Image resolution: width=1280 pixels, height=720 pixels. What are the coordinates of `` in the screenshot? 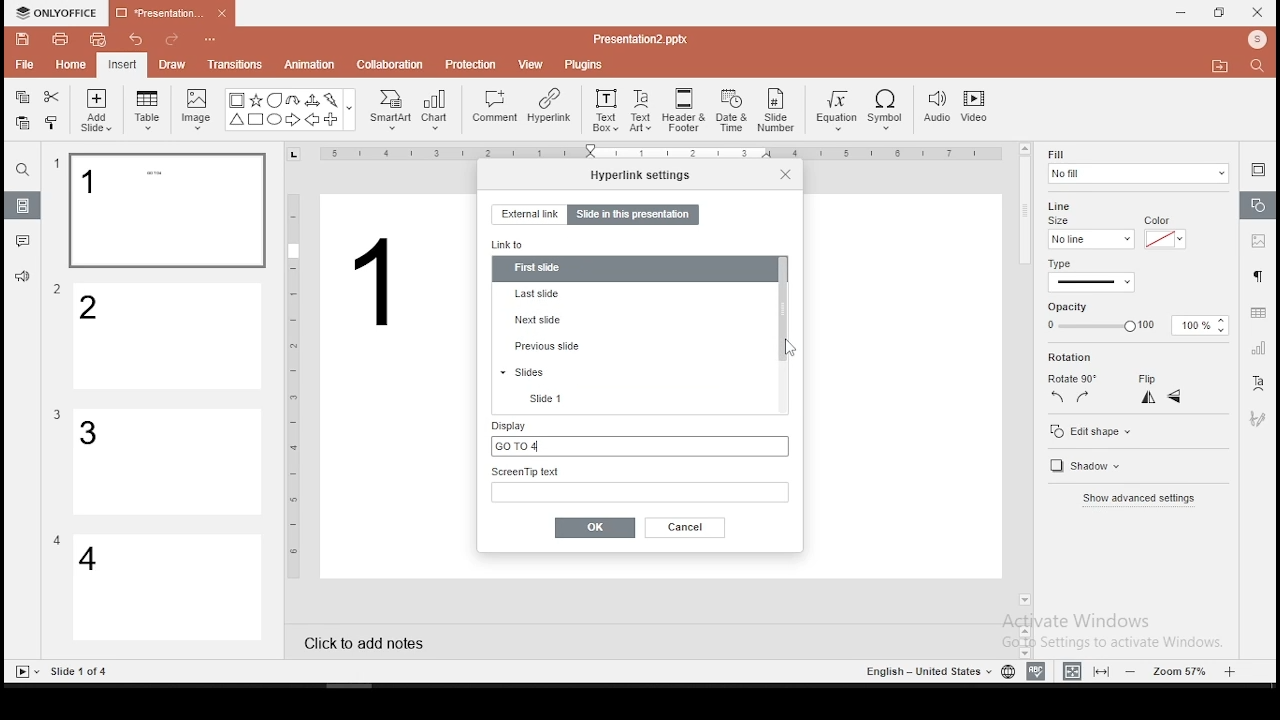 It's located at (81, 672).